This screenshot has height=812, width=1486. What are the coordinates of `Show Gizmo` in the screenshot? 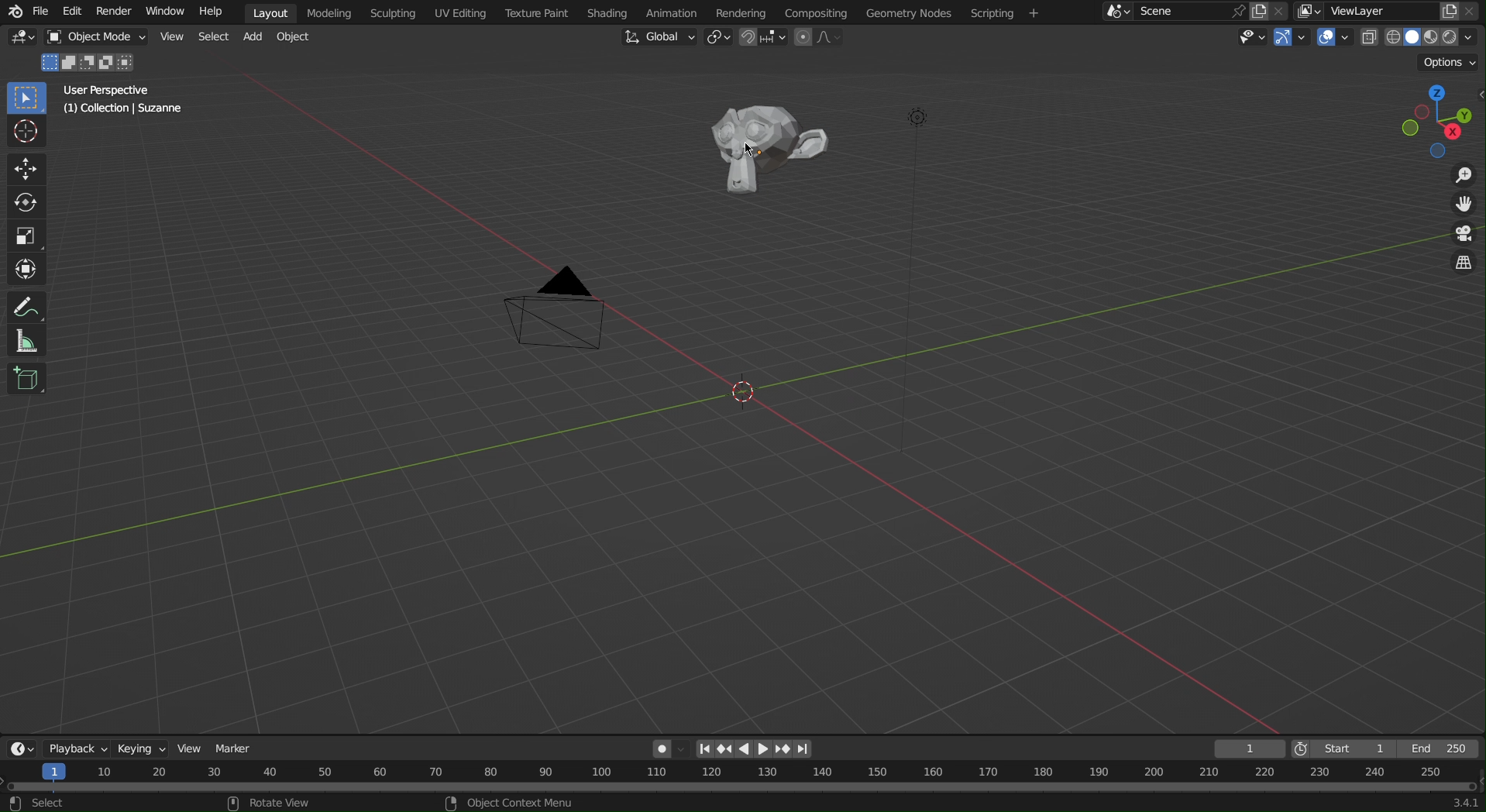 It's located at (1292, 37).